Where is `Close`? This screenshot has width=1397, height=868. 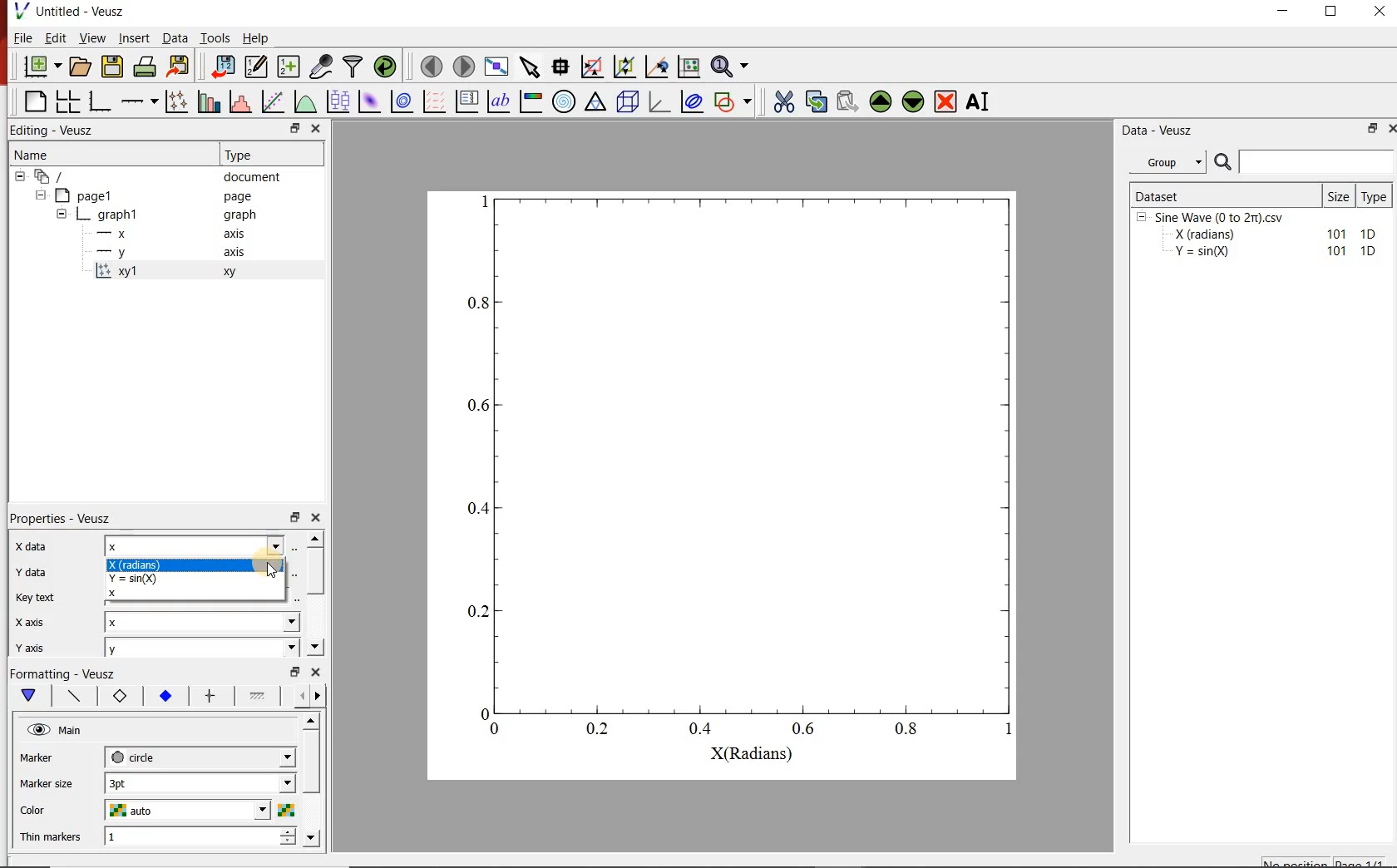
Close is located at coordinates (317, 515).